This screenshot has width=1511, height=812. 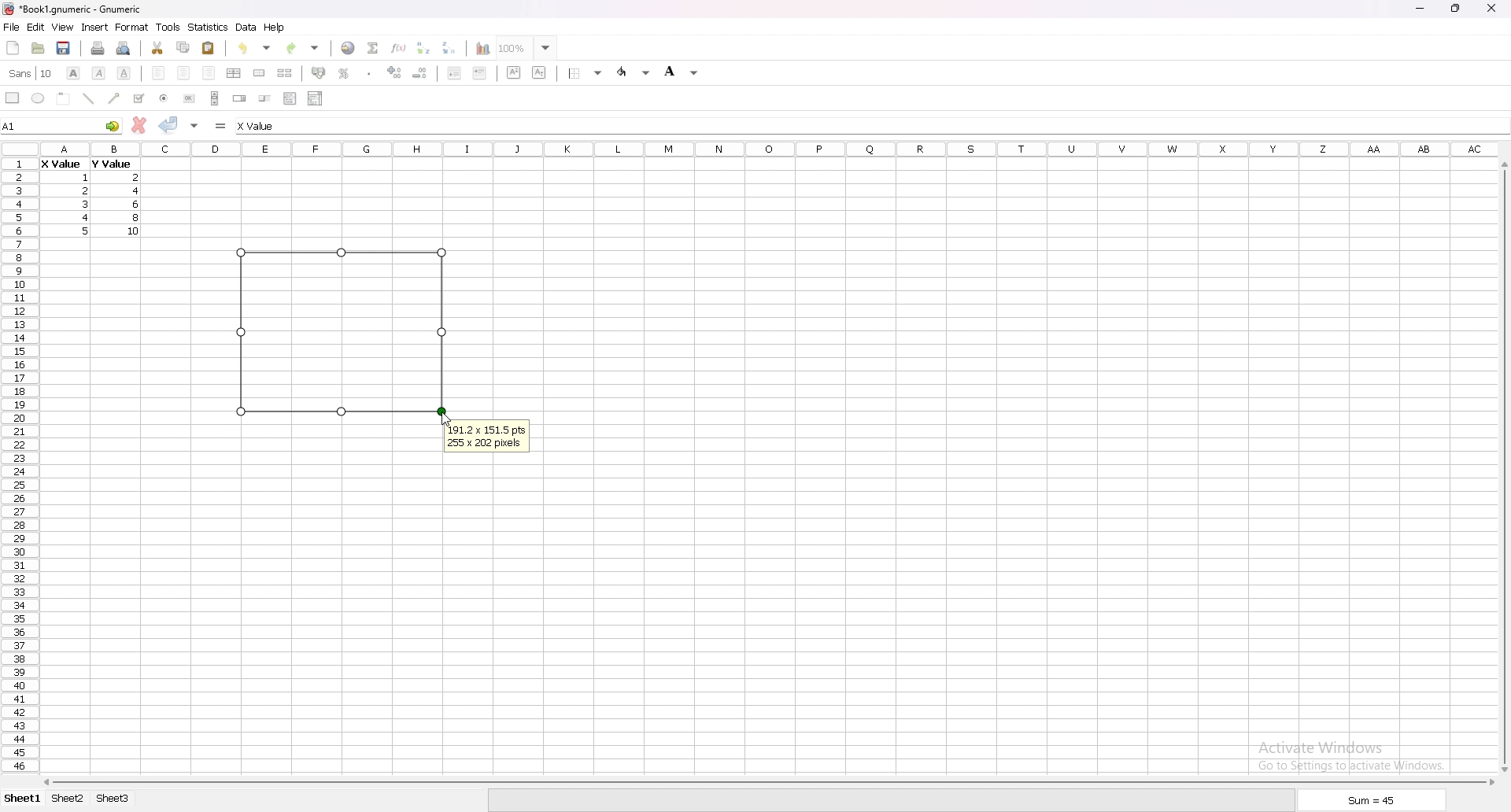 What do you see at coordinates (87, 178) in the screenshot?
I see `value` at bounding box center [87, 178].